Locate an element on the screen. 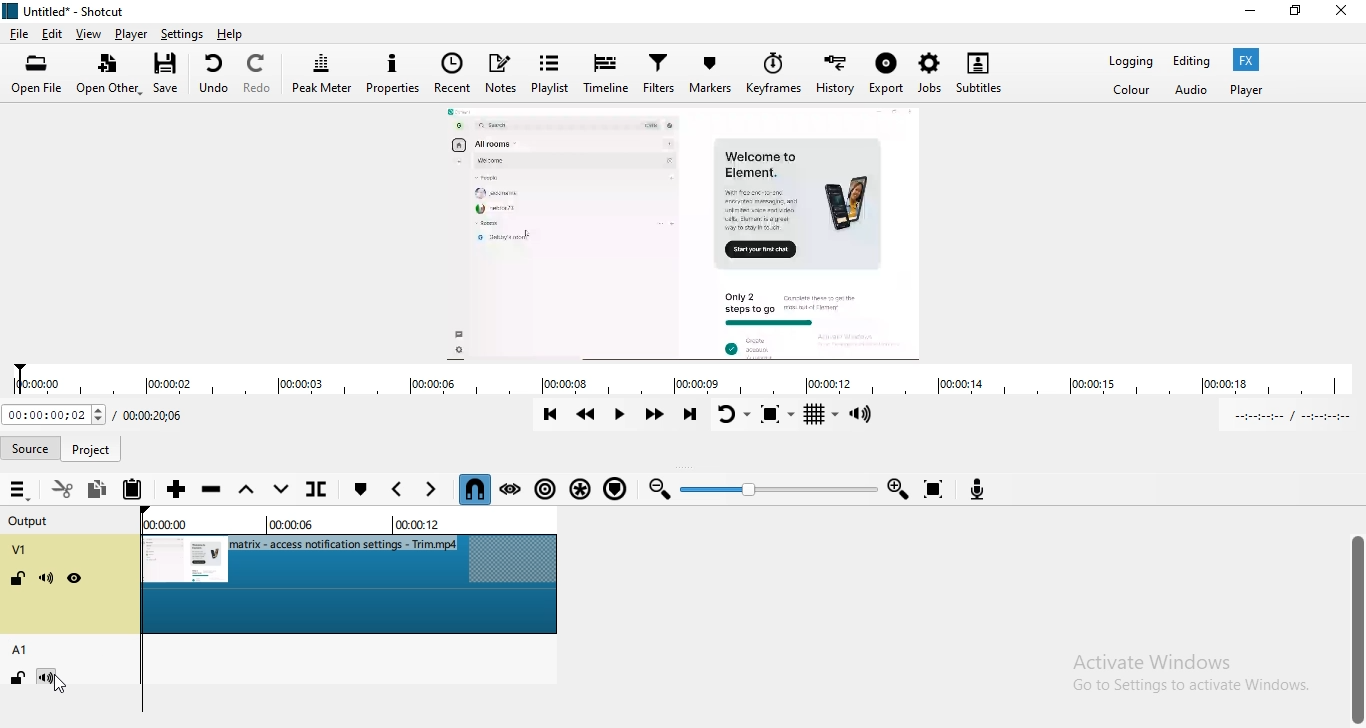  Next marker is located at coordinates (430, 488).